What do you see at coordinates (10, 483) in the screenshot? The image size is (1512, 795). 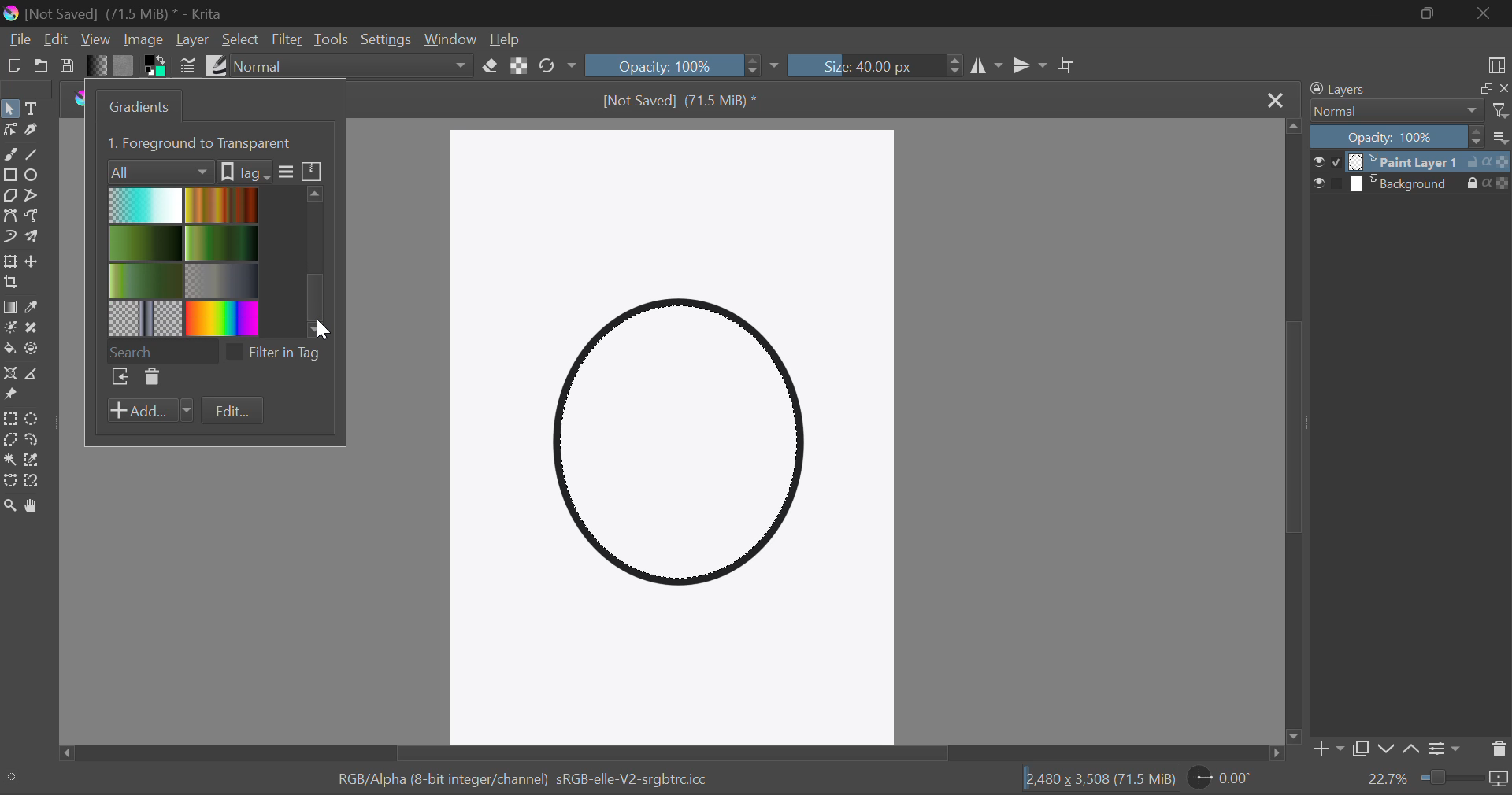 I see `Bezier Curve Selection` at bounding box center [10, 483].